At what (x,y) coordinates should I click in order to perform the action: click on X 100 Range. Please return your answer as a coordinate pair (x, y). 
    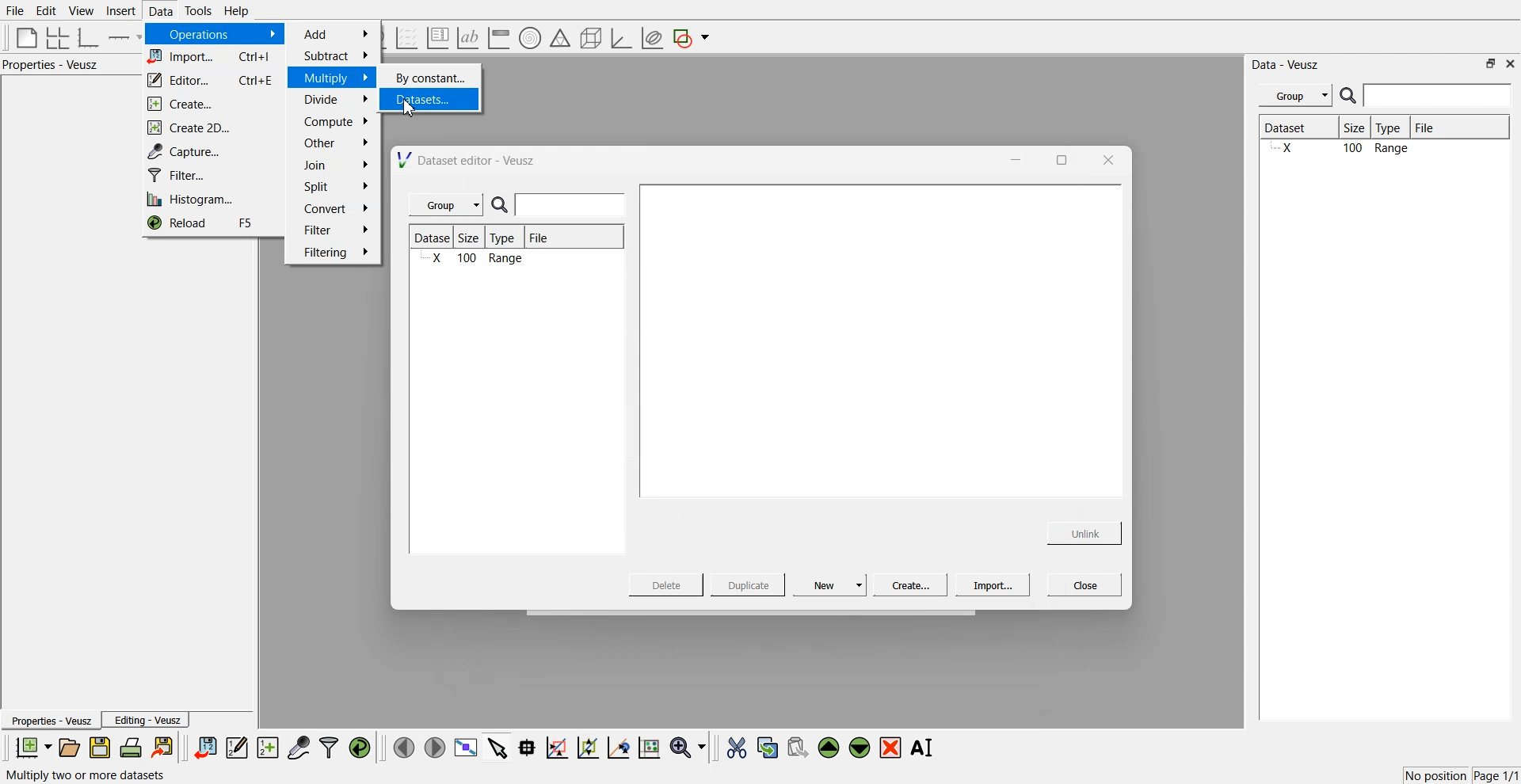
    Looking at the image, I should click on (1382, 150).